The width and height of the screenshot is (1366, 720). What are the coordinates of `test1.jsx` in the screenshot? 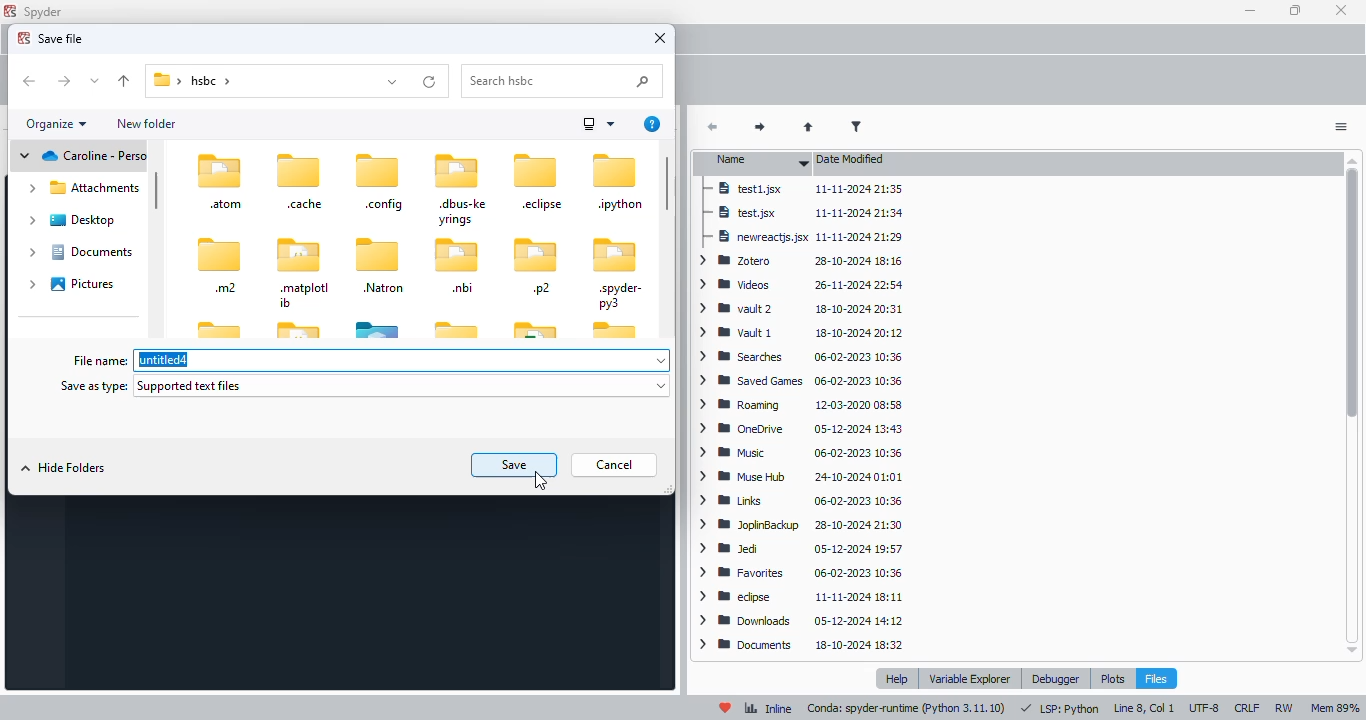 It's located at (742, 190).